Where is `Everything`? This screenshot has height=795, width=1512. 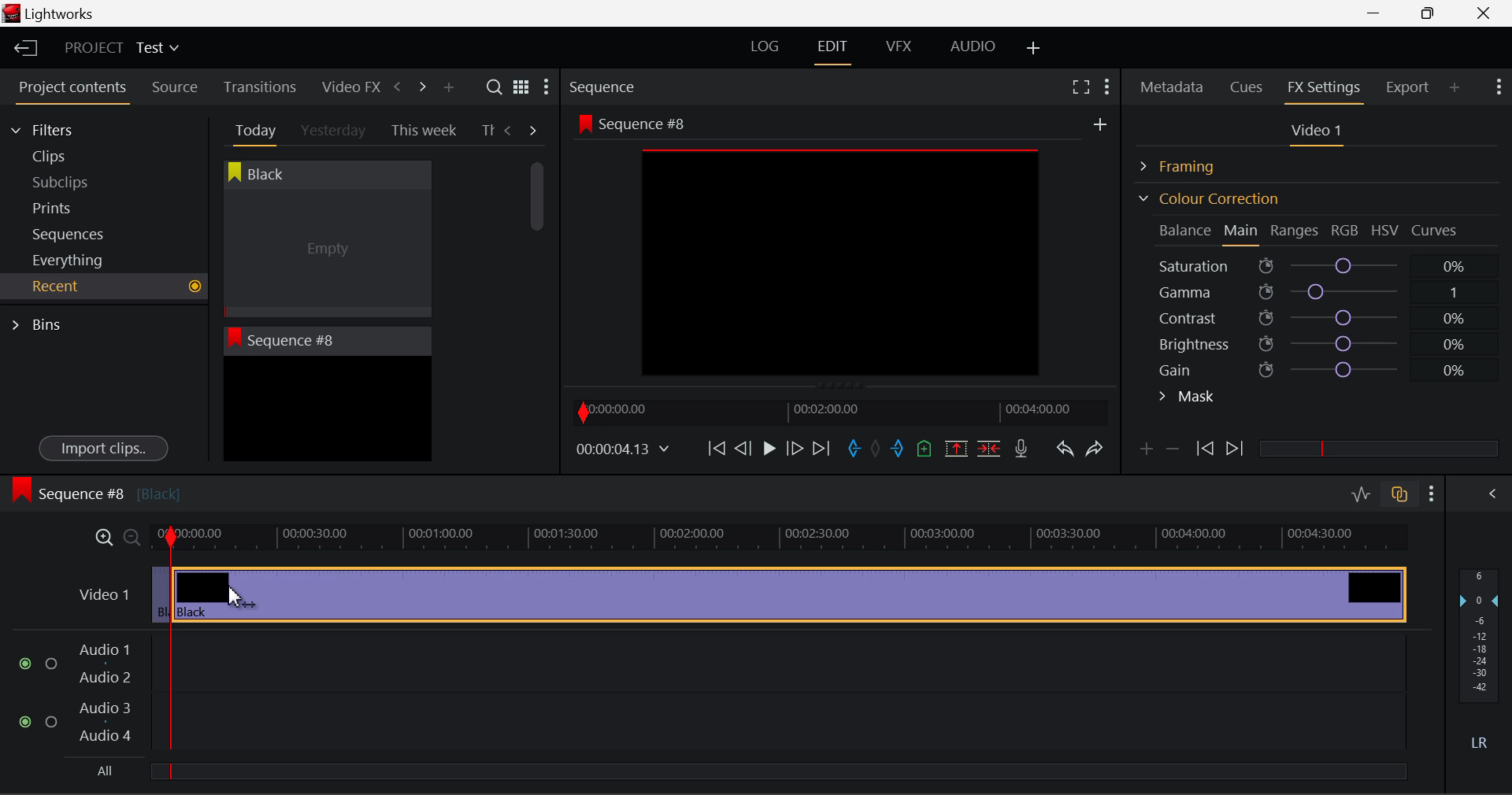 Everything is located at coordinates (70, 260).